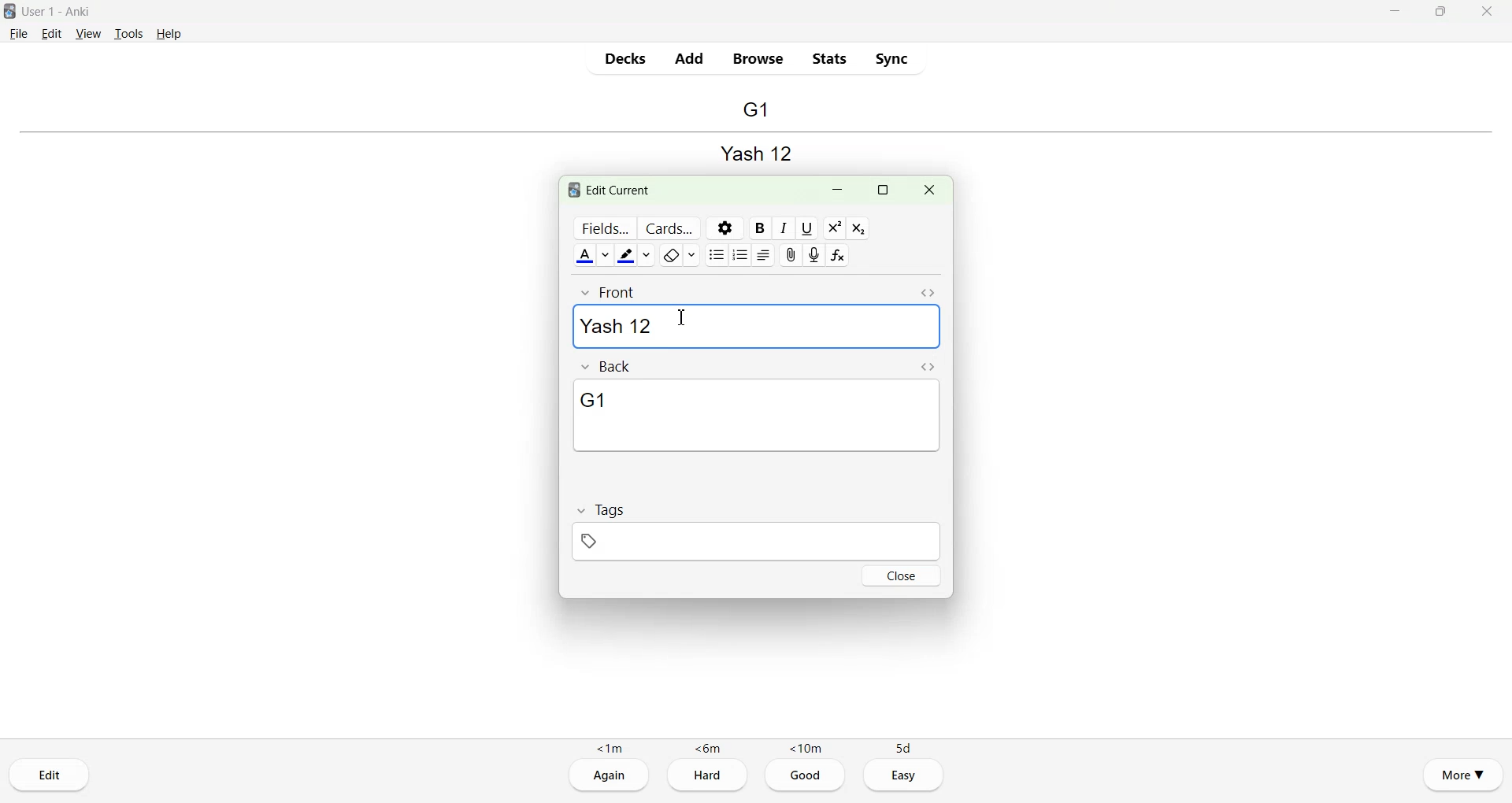 The height and width of the screenshot is (803, 1512). I want to click on Attach picture/audio/video, so click(789, 255).